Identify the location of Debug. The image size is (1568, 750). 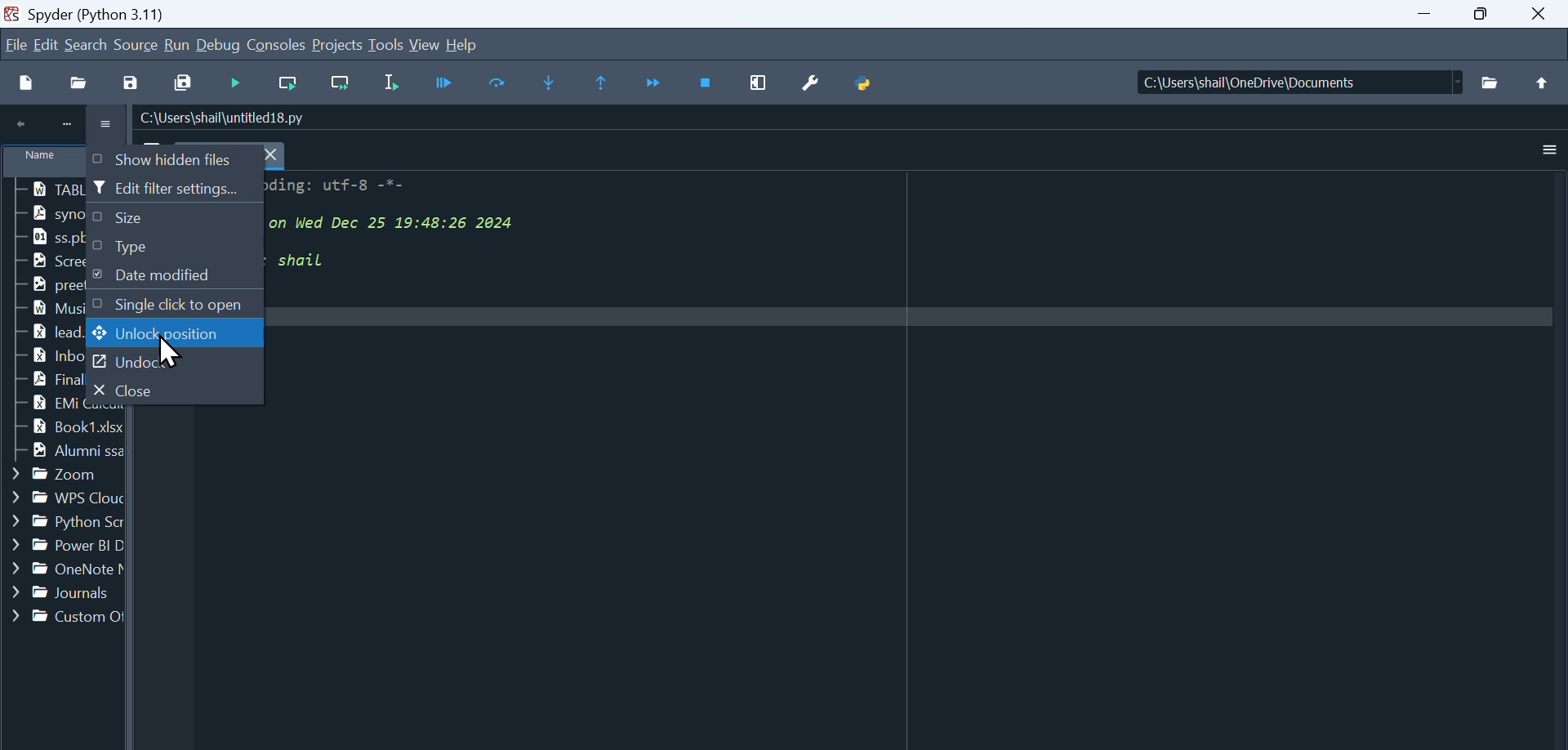
(220, 46).